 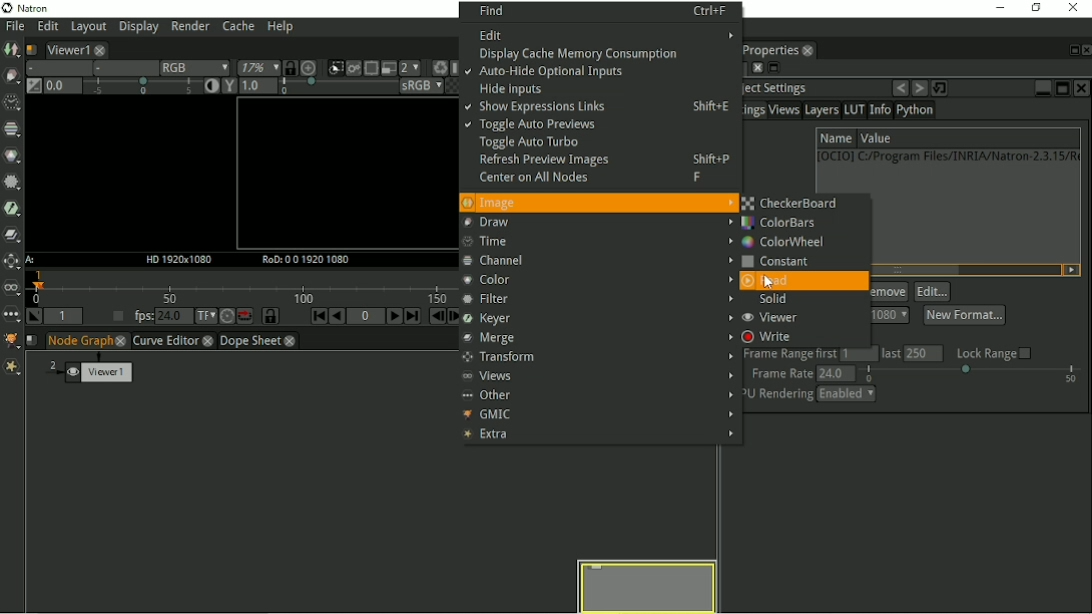 I want to click on Viewer, so click(x=777, y=318).